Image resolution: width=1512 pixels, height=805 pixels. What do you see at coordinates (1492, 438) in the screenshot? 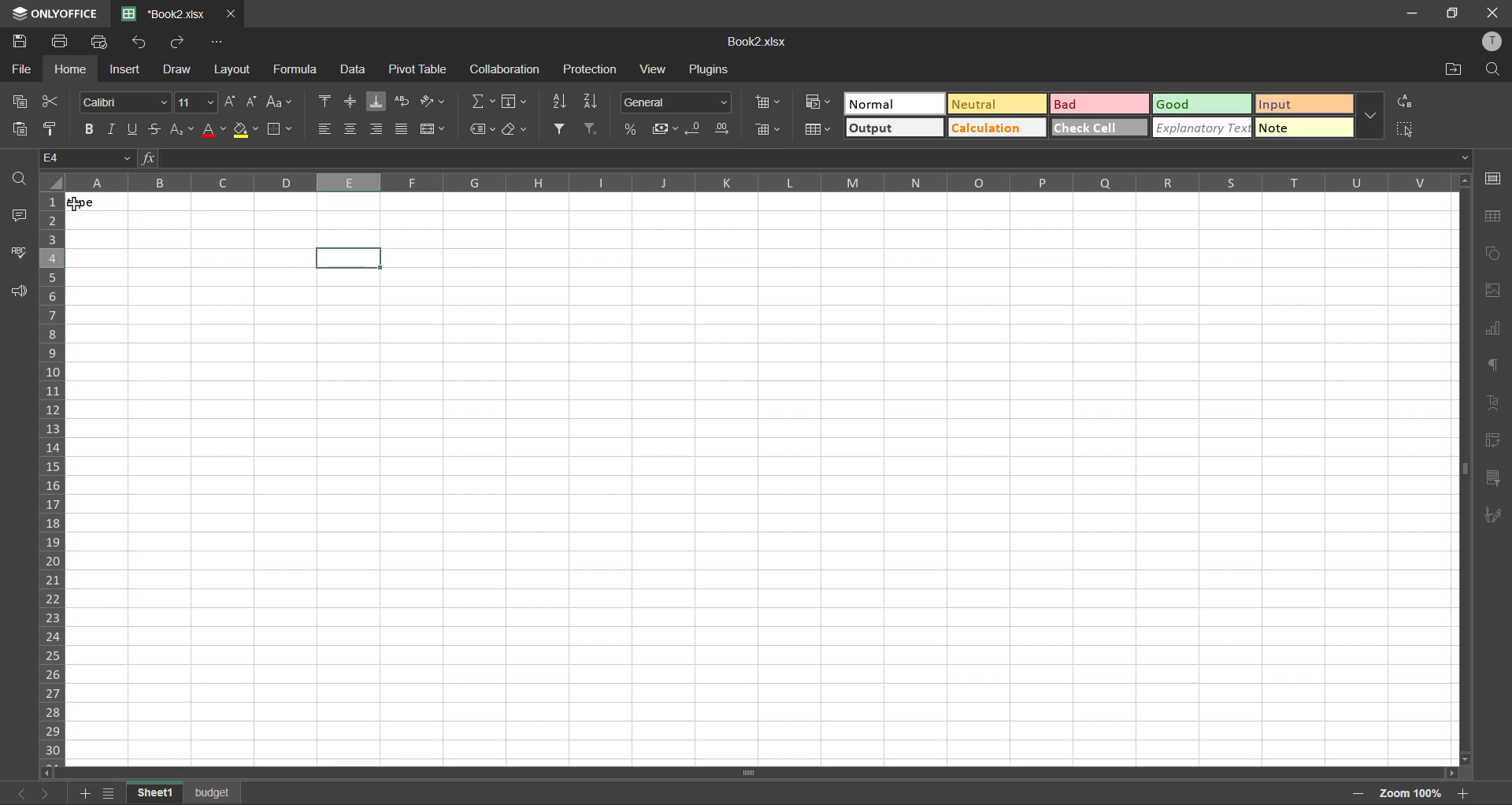
I see `pivot table` at bounding box center [1492, 438].